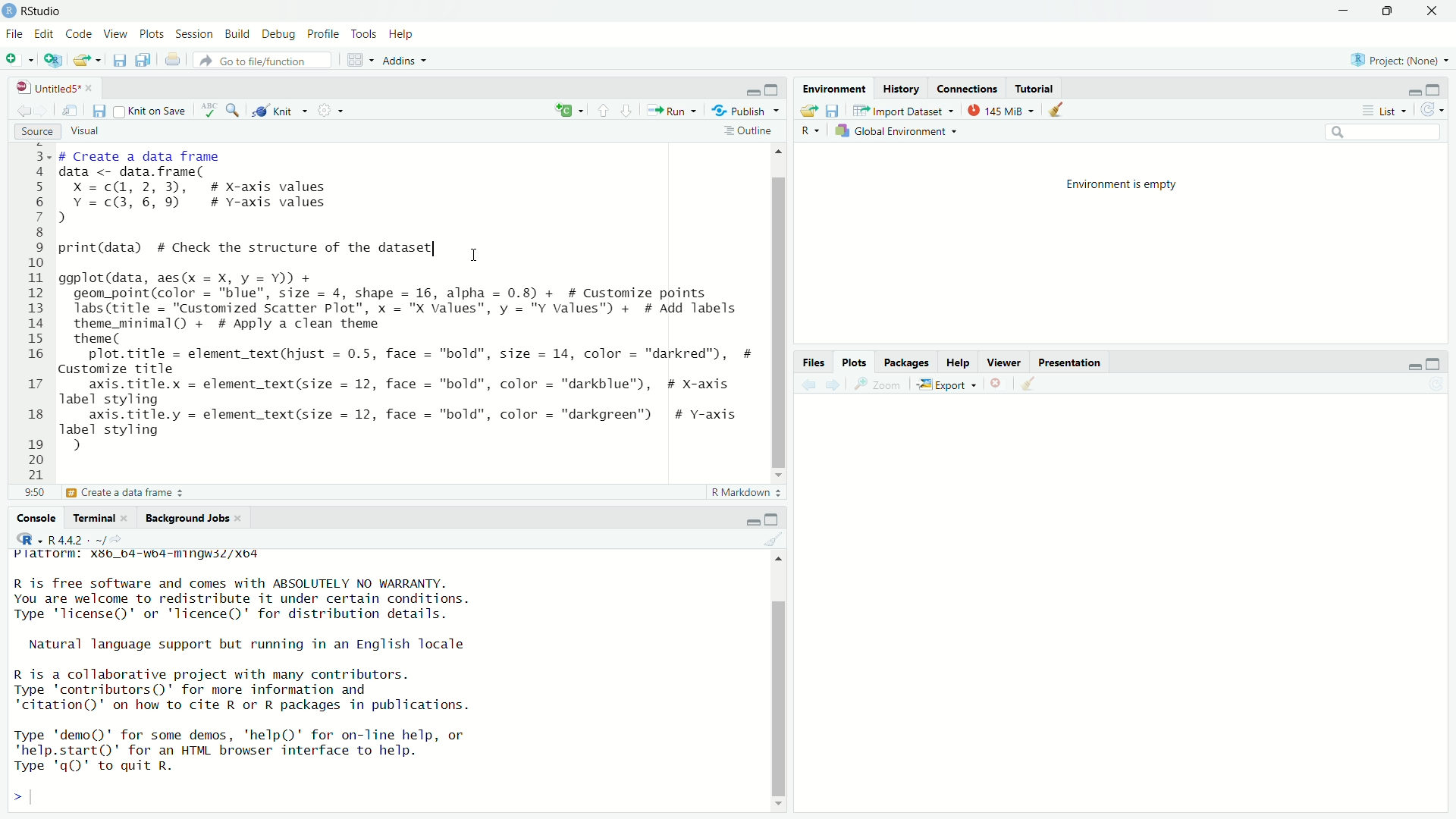 This screenshot has width=1456, height=819. What do you see at coordinates (899, 130) in the screenshot?
I see `Global Environment` at bounding box center [899, 130].